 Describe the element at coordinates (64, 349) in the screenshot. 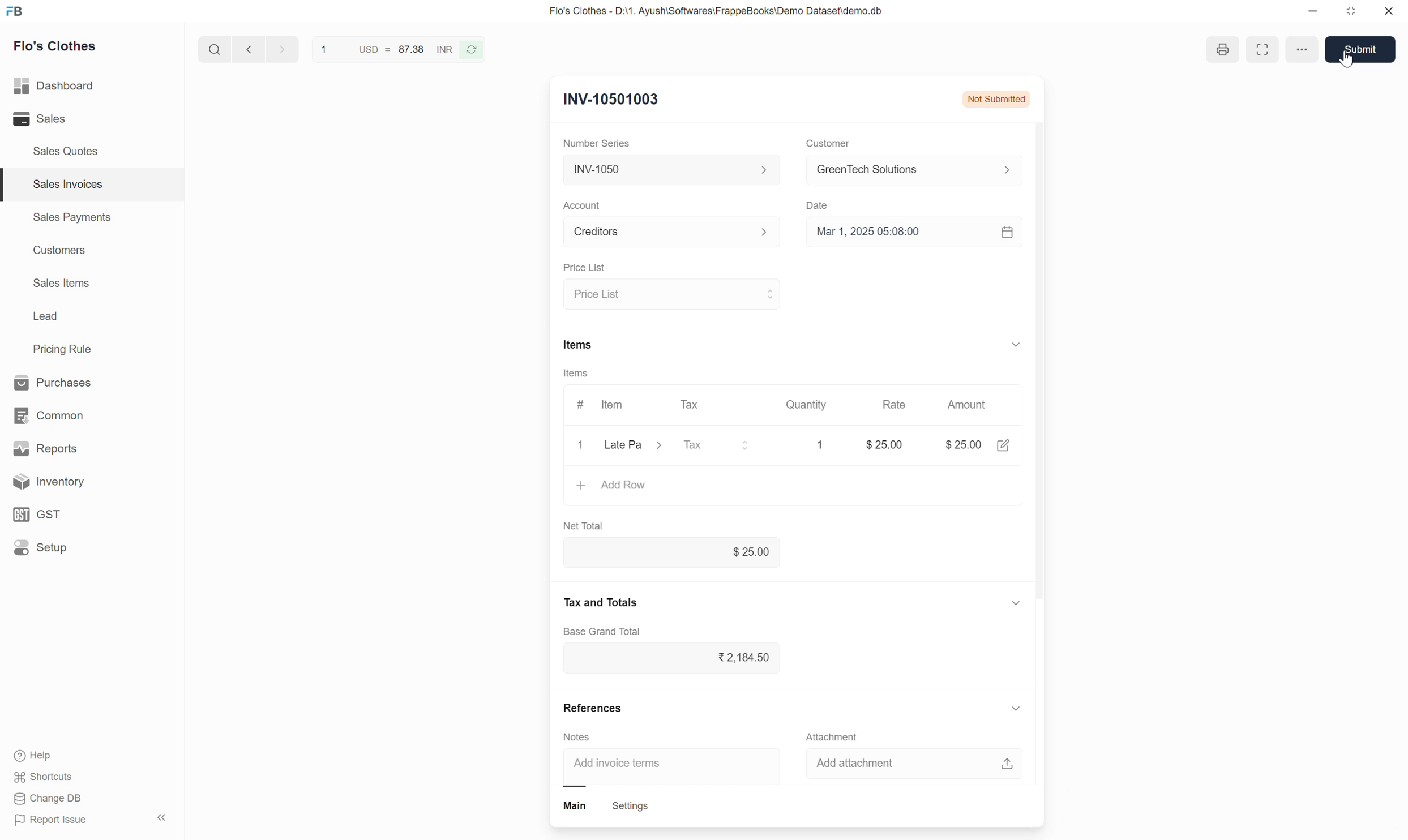

I see `Pricing Rule` at that location.